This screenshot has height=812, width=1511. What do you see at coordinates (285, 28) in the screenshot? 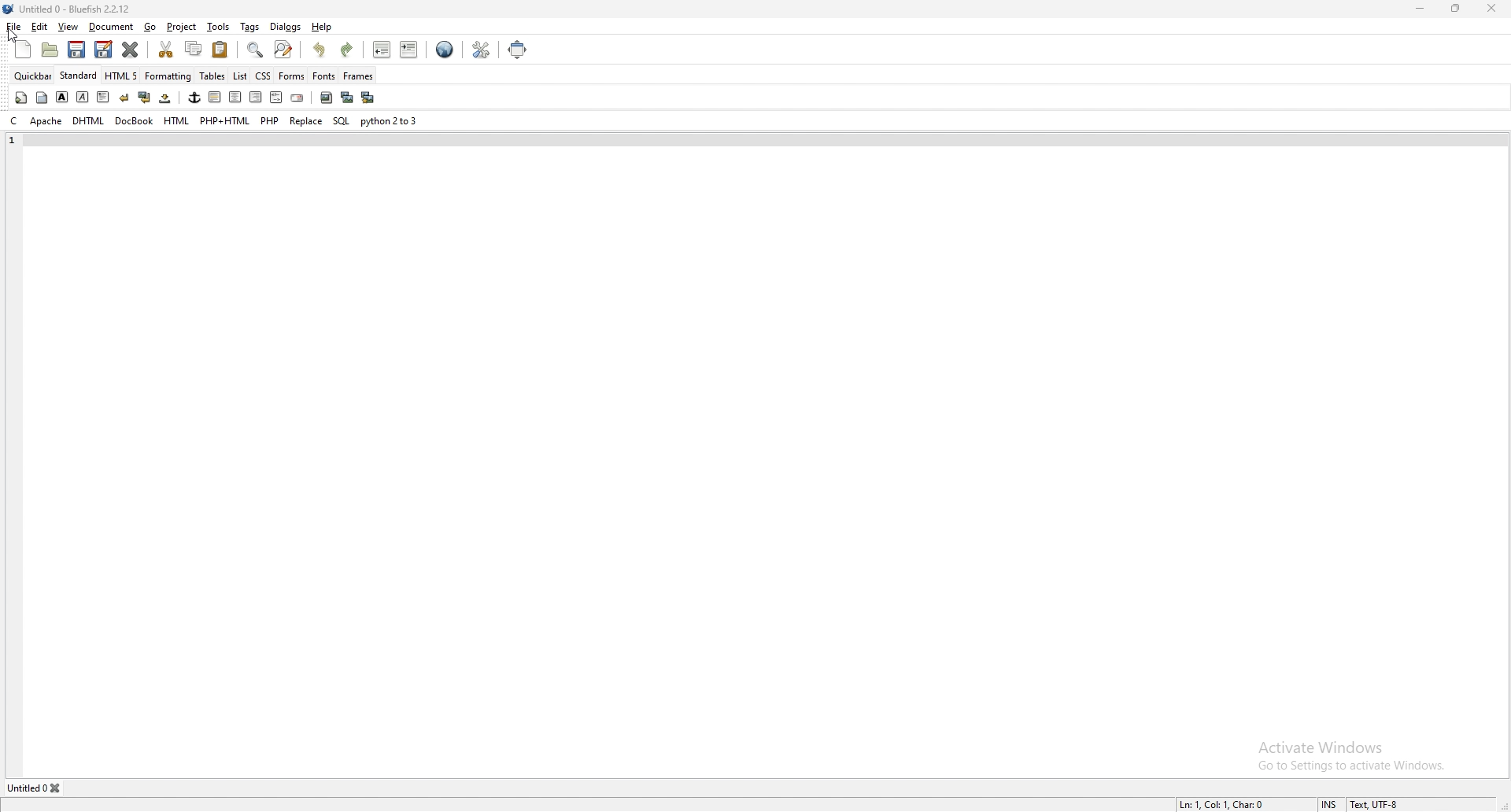
I see `dialogs` at bounding box center [285, 28].